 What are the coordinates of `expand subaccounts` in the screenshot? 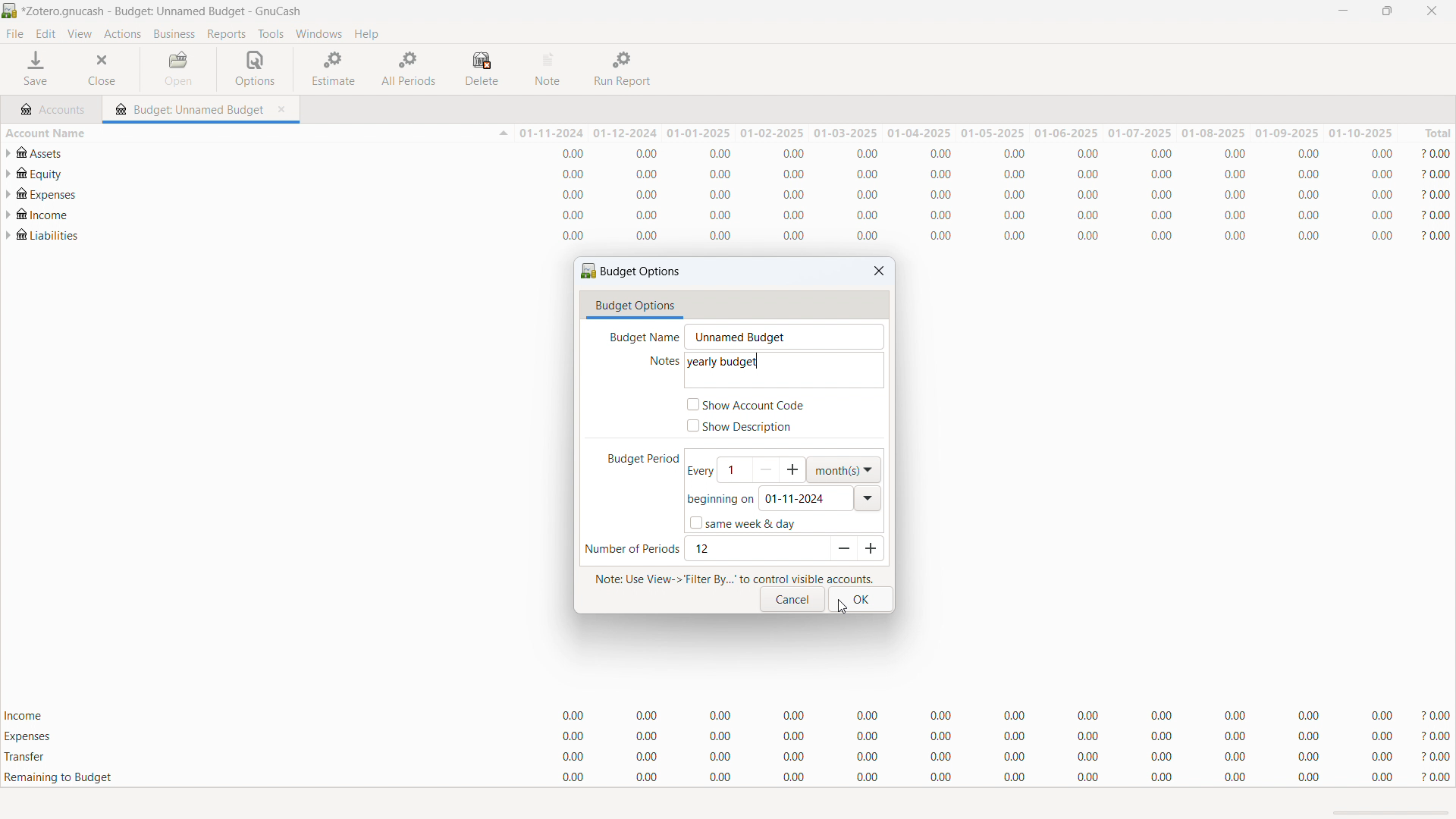 It's located at (9, 235).